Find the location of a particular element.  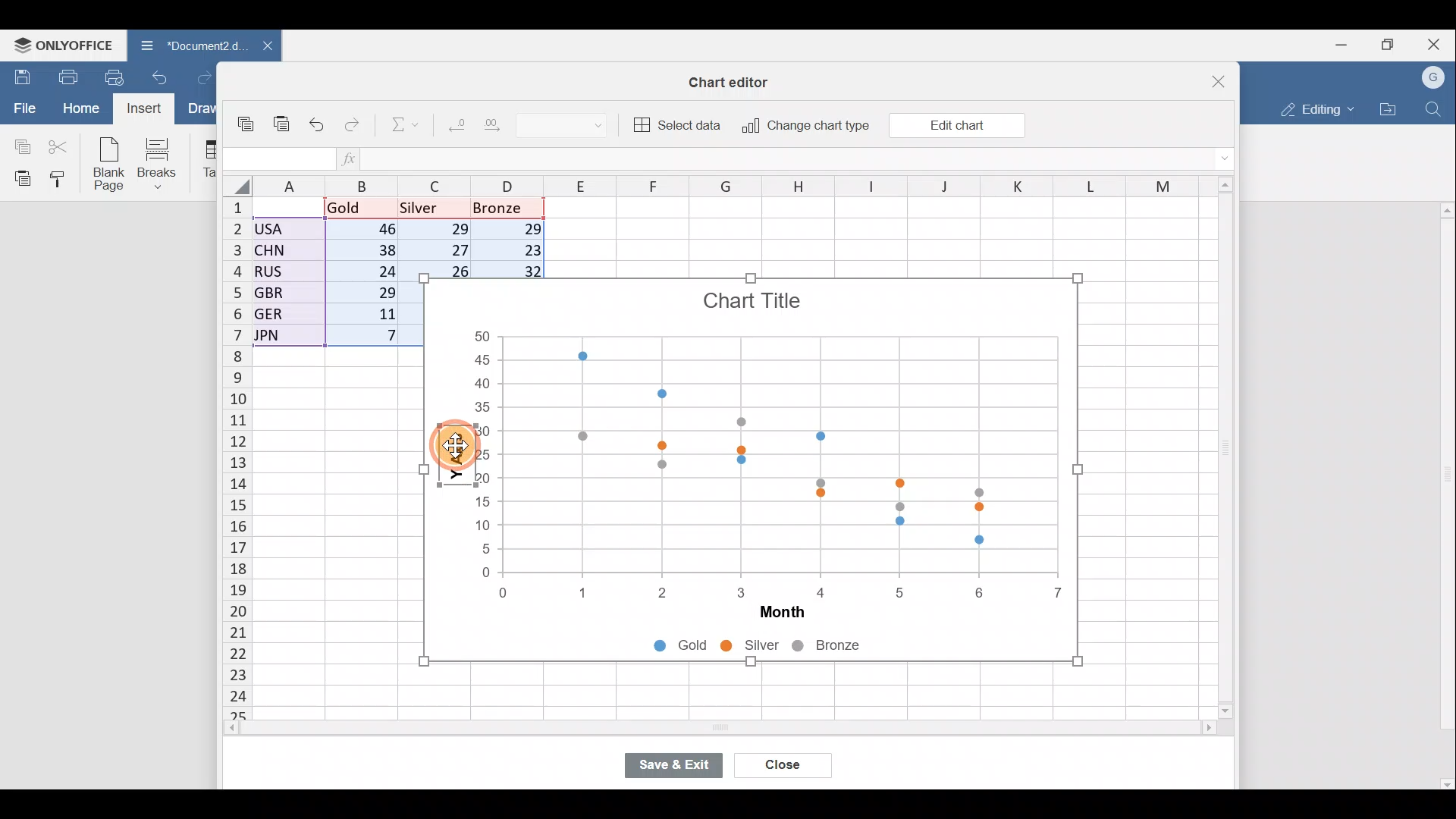

Cell name is located at coordinates (275, 155).